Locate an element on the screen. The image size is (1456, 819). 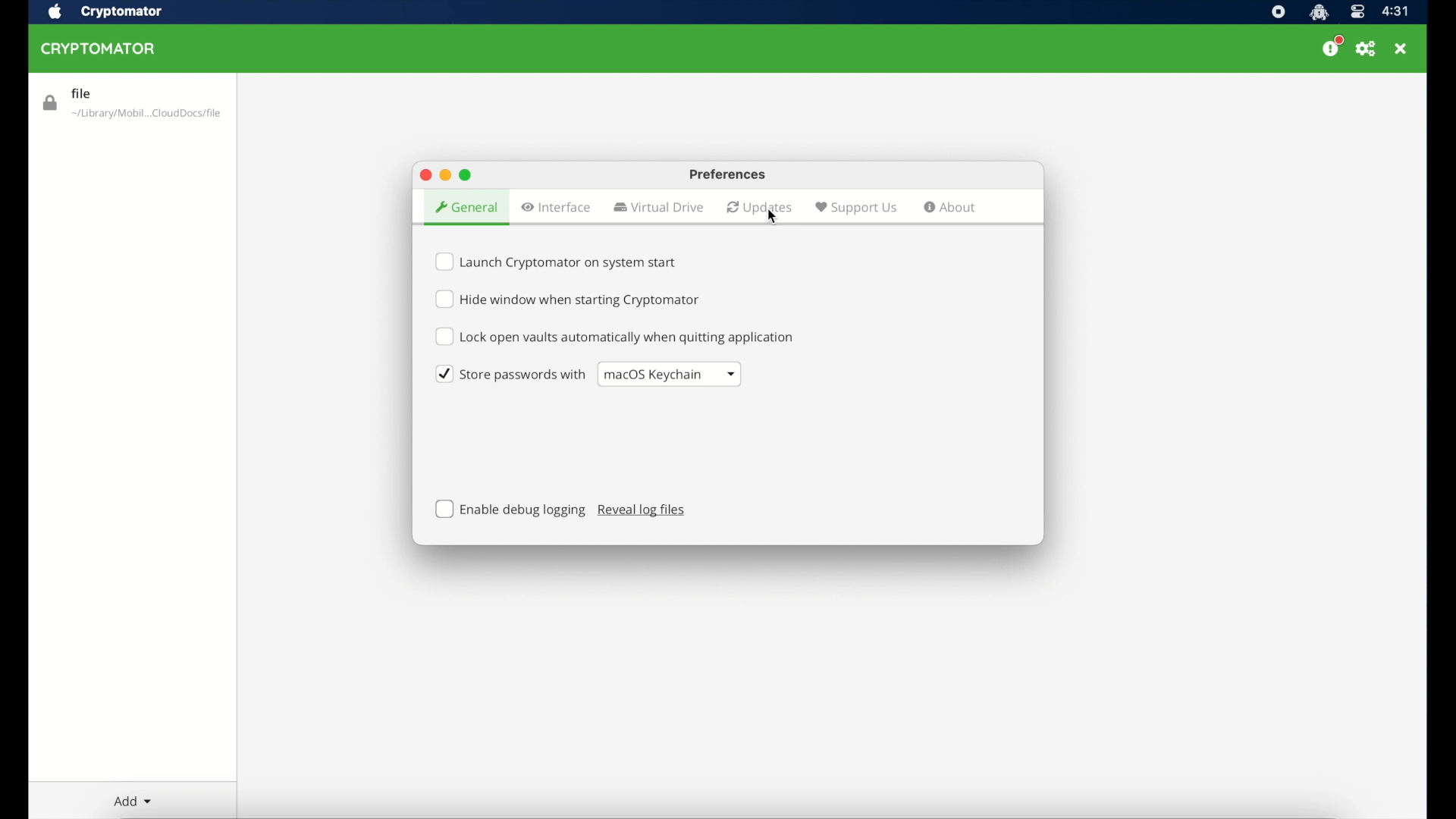
about is located at coordinates (951, 208).